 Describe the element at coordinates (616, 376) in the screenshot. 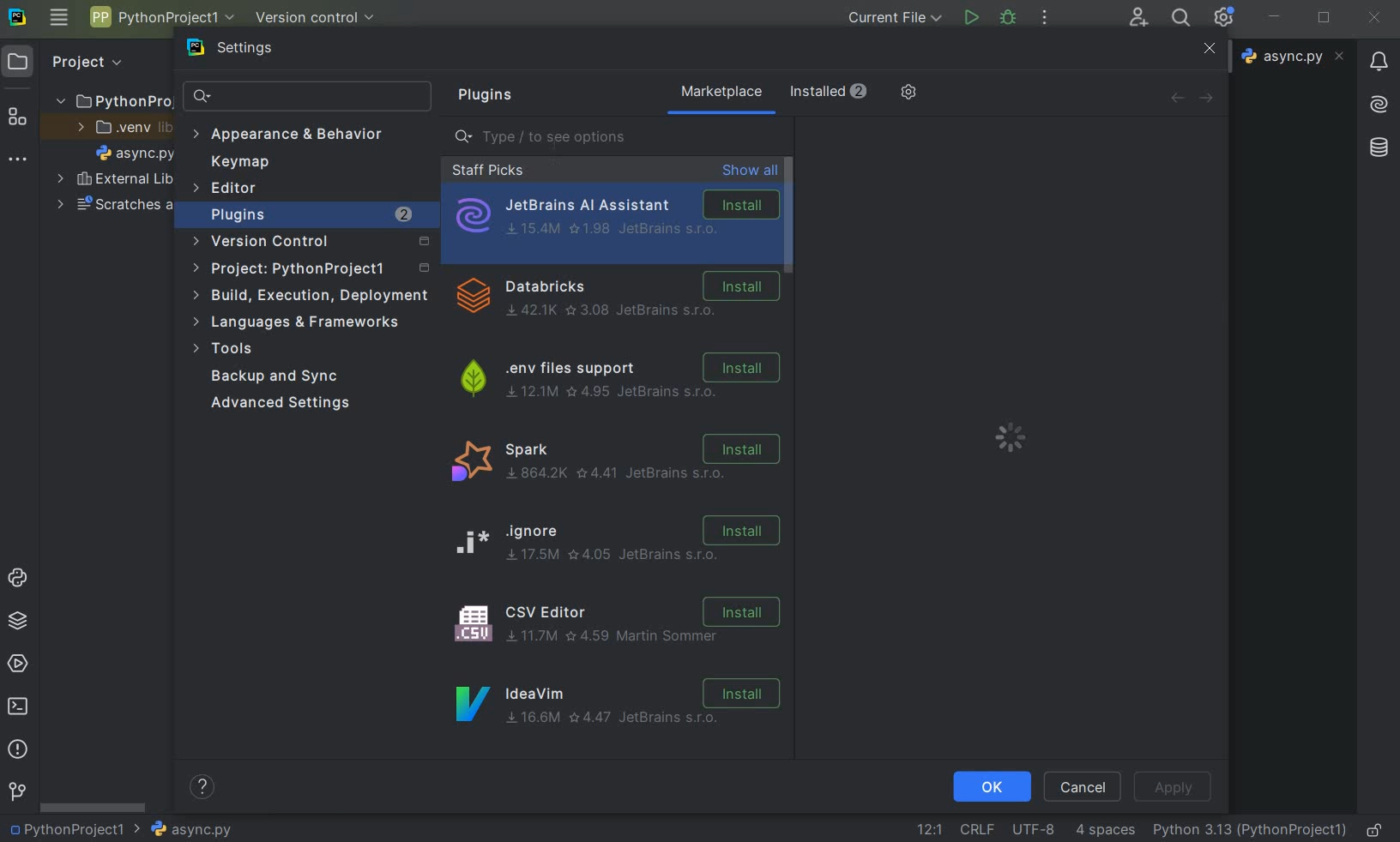

I see `.env files support` at that location.